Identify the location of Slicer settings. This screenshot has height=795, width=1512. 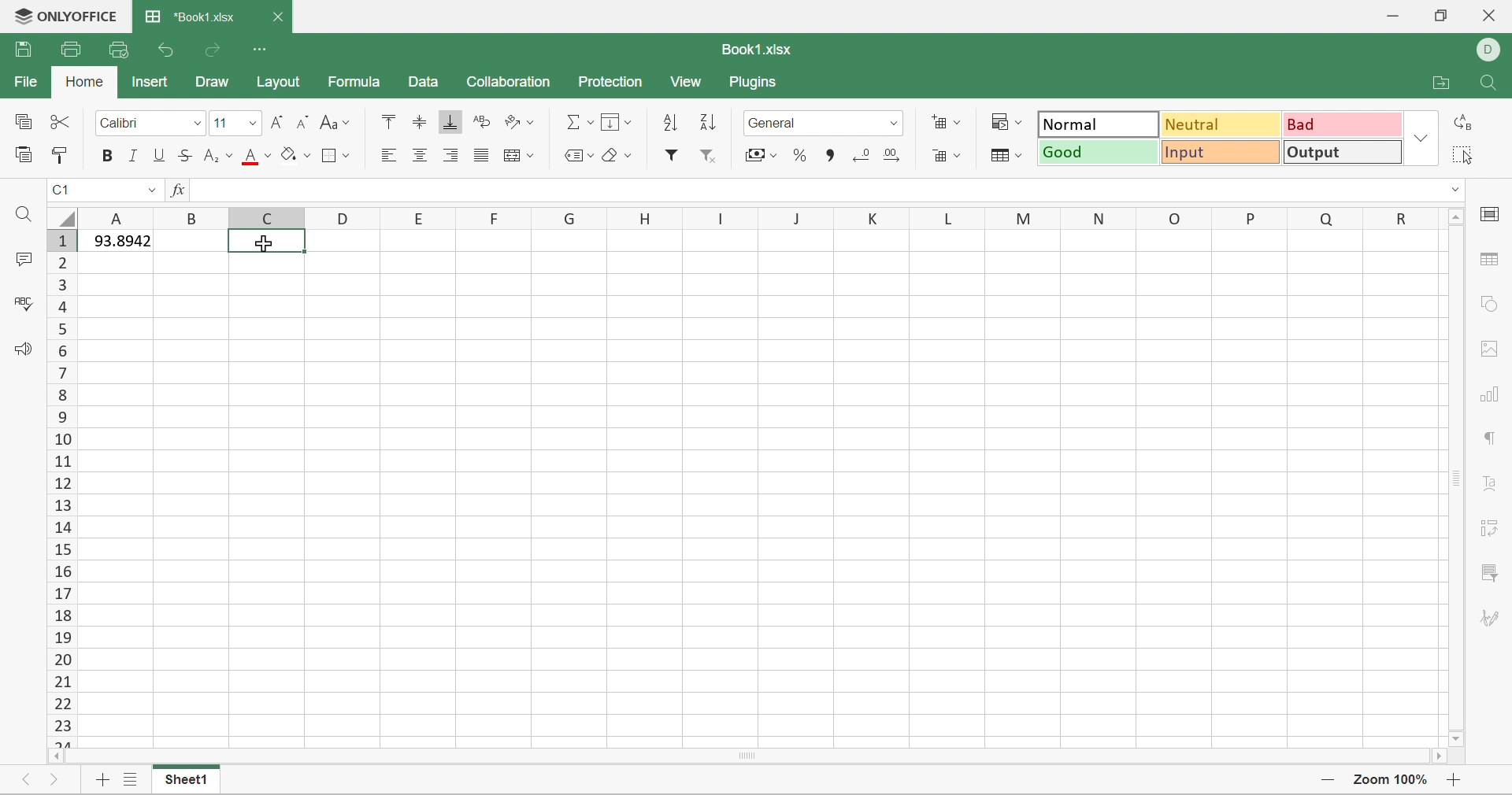
(1488, 571).